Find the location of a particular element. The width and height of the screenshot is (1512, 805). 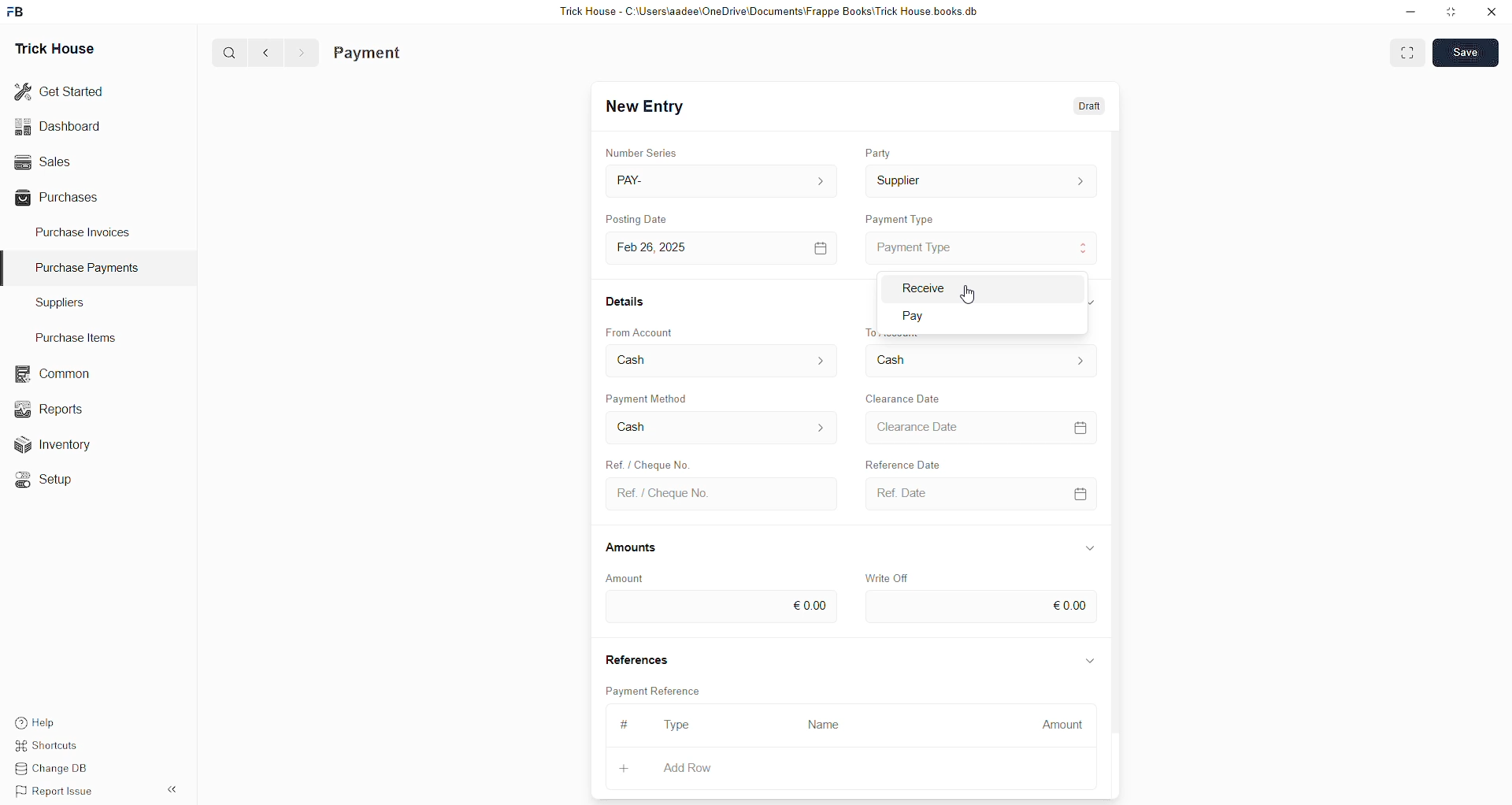

Change DB is located at coordinates (51, 767).